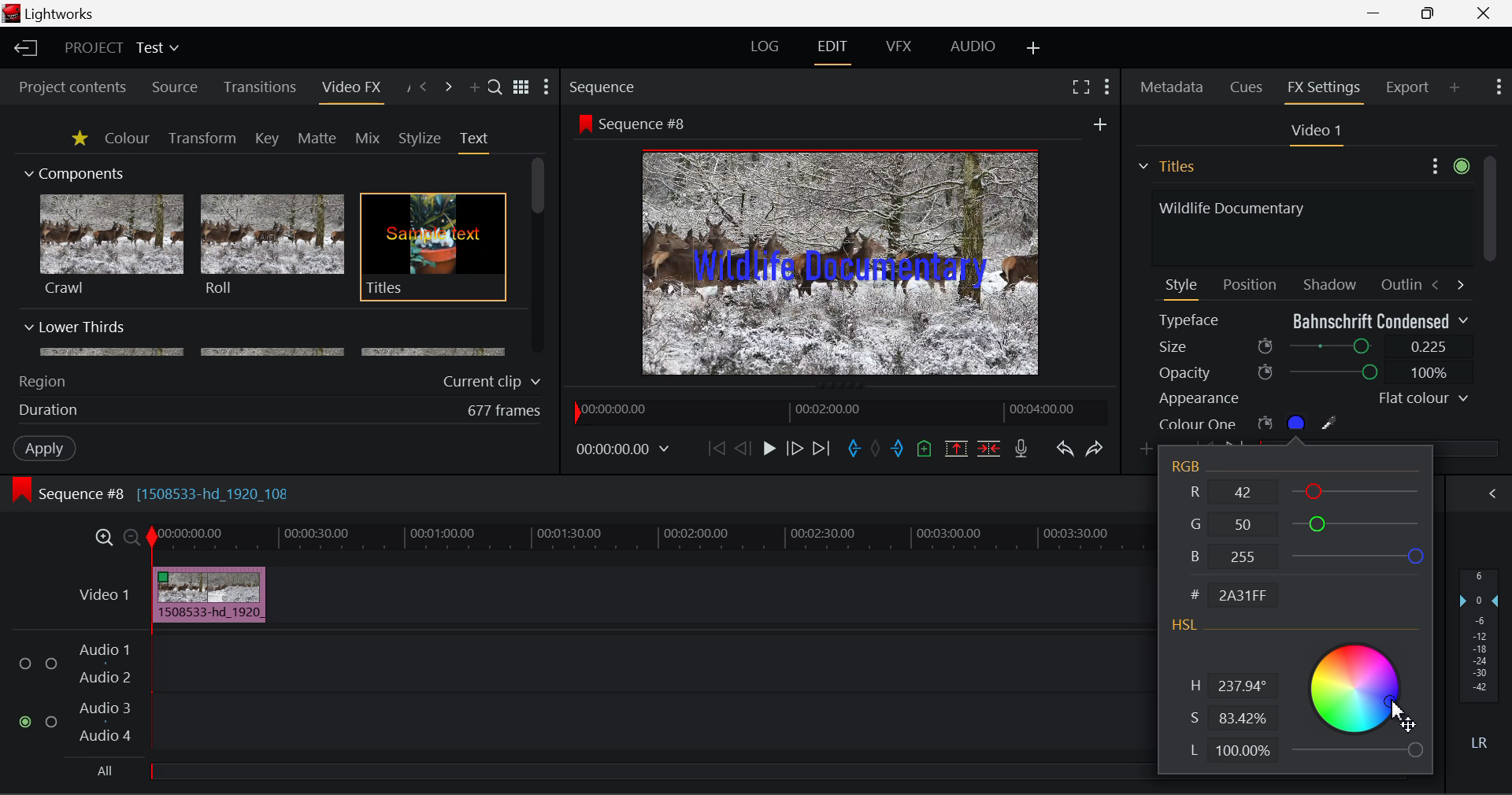 The image size is (1512, 795). What do you see at coordinates (65, 87) in the screenshot?
I see `Project contents` at bounding box center [65, 87].